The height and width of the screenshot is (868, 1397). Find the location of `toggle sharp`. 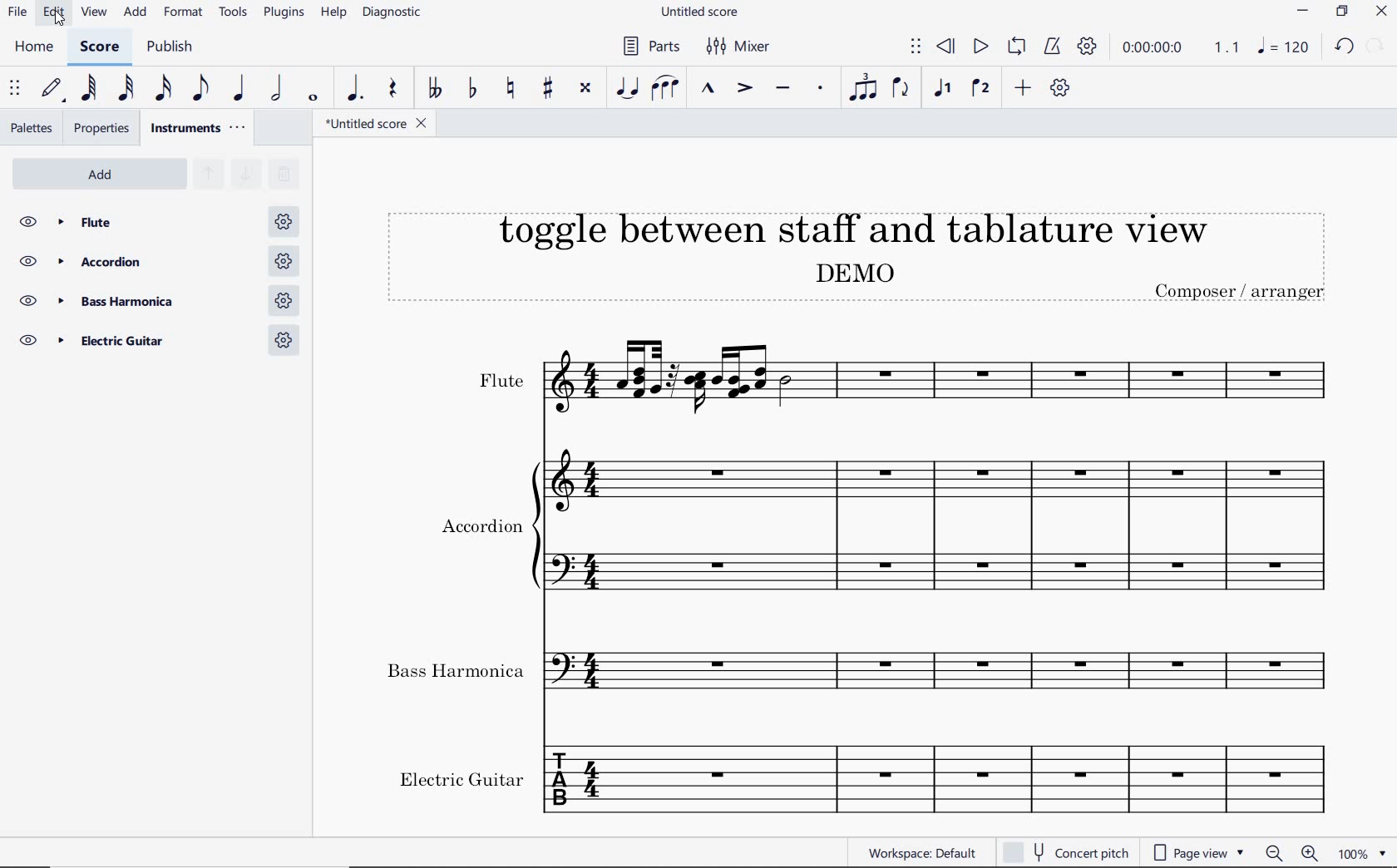

toggle sharp is located at coordinates (548, 89).